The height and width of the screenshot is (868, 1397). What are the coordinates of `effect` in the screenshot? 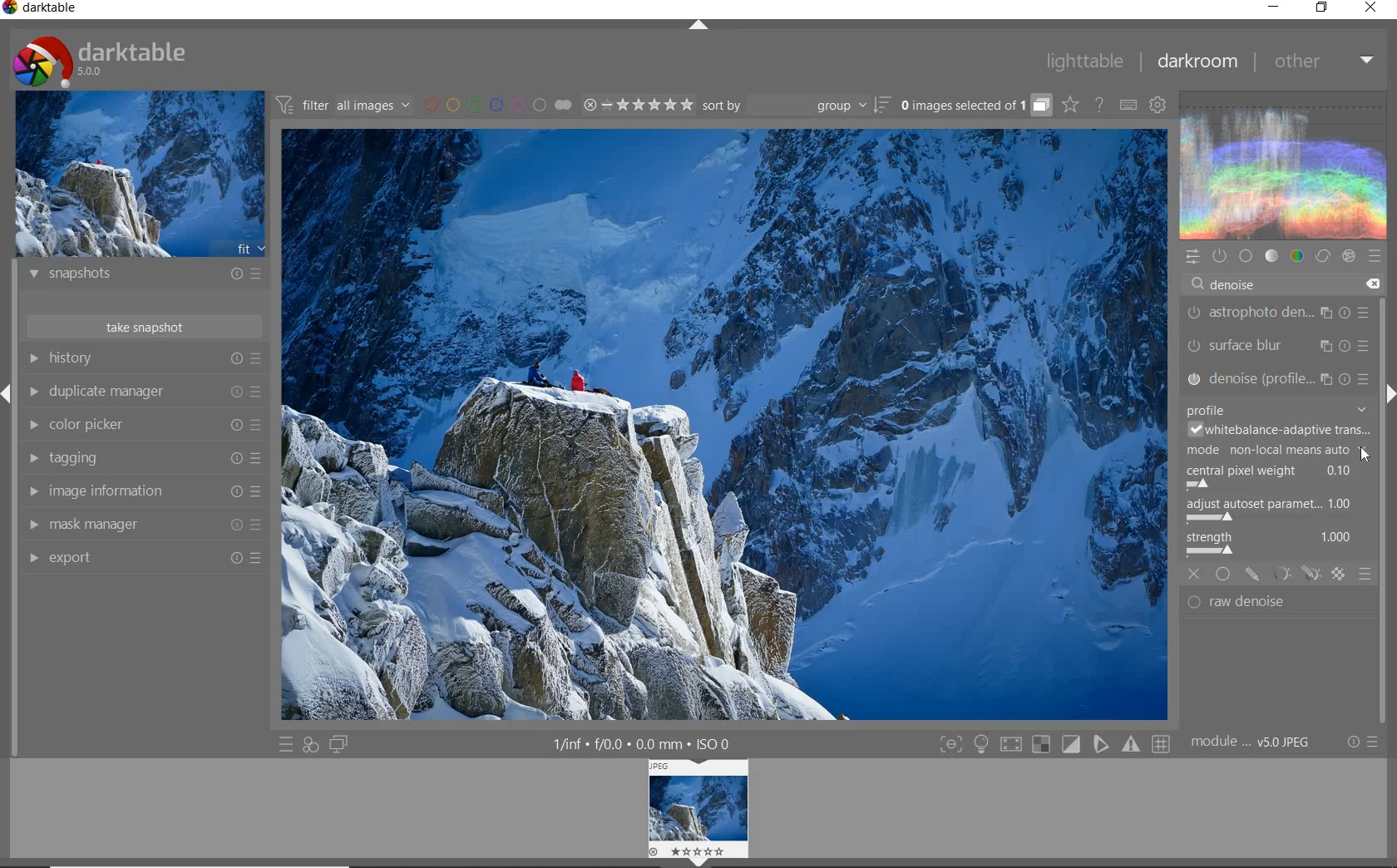 It's located at (1348, 256).